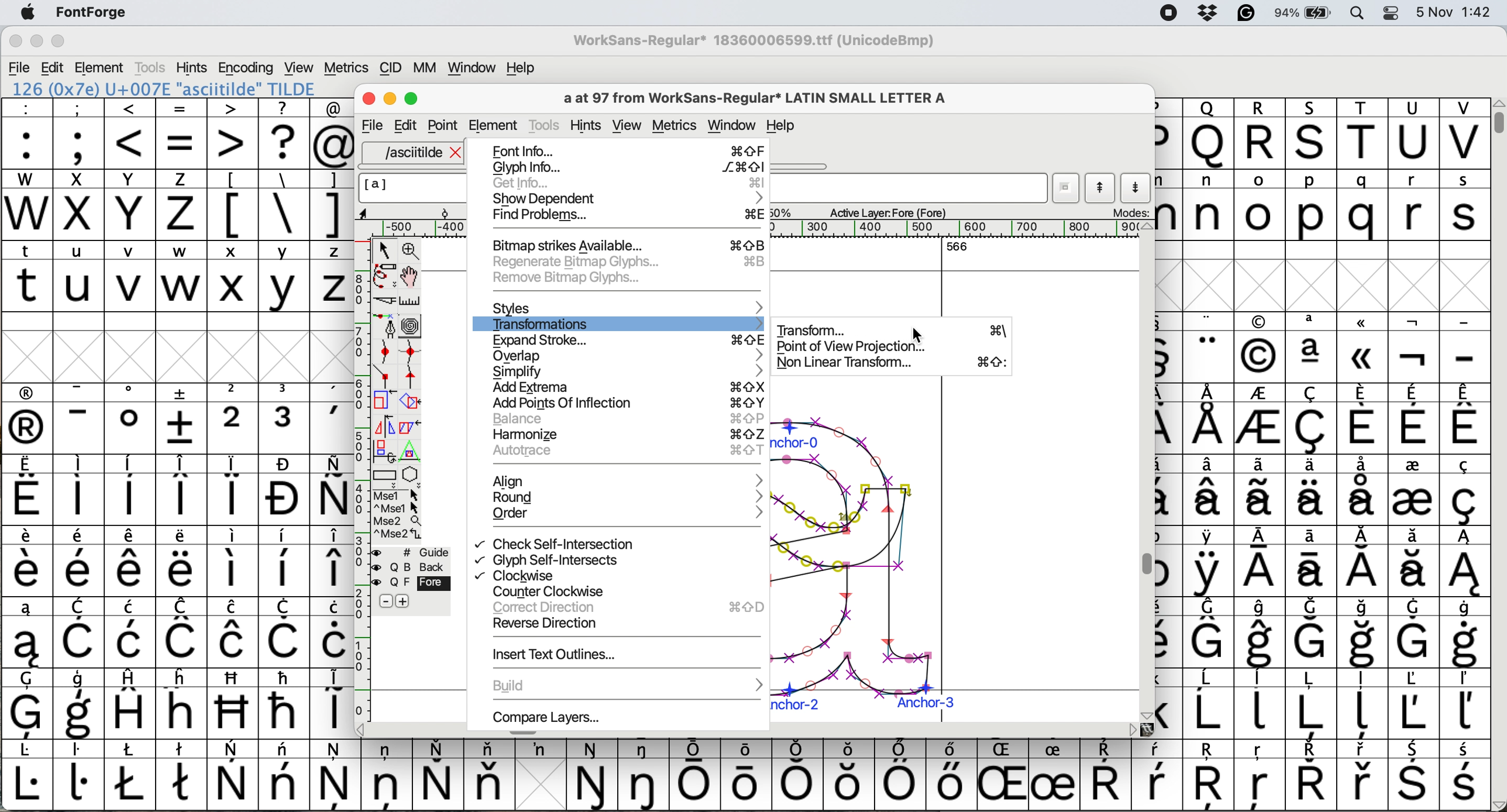 The image size is (1507, 812). Describe the element at coordinates (627, 357) in the screenshot. I see `overlap` at that location.